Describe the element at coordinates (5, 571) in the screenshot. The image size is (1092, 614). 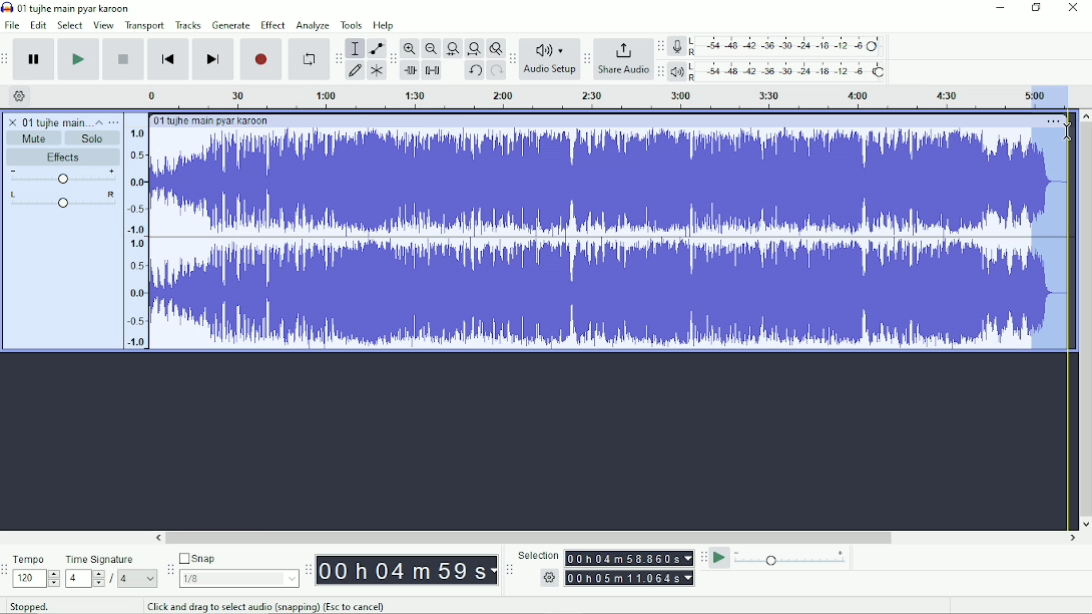
I see `Audacity time signature toolbar` at that location.